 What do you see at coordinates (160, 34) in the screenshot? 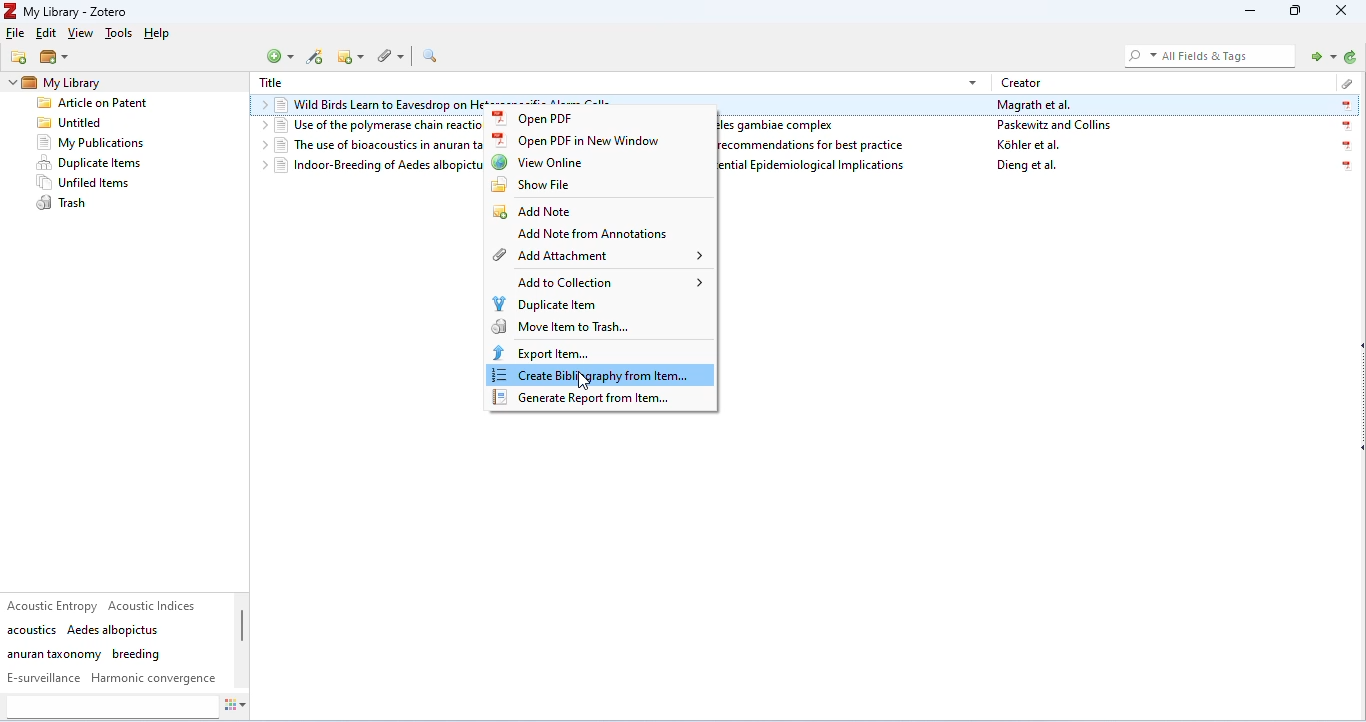
I see `help` at bounding box center [160, 34].